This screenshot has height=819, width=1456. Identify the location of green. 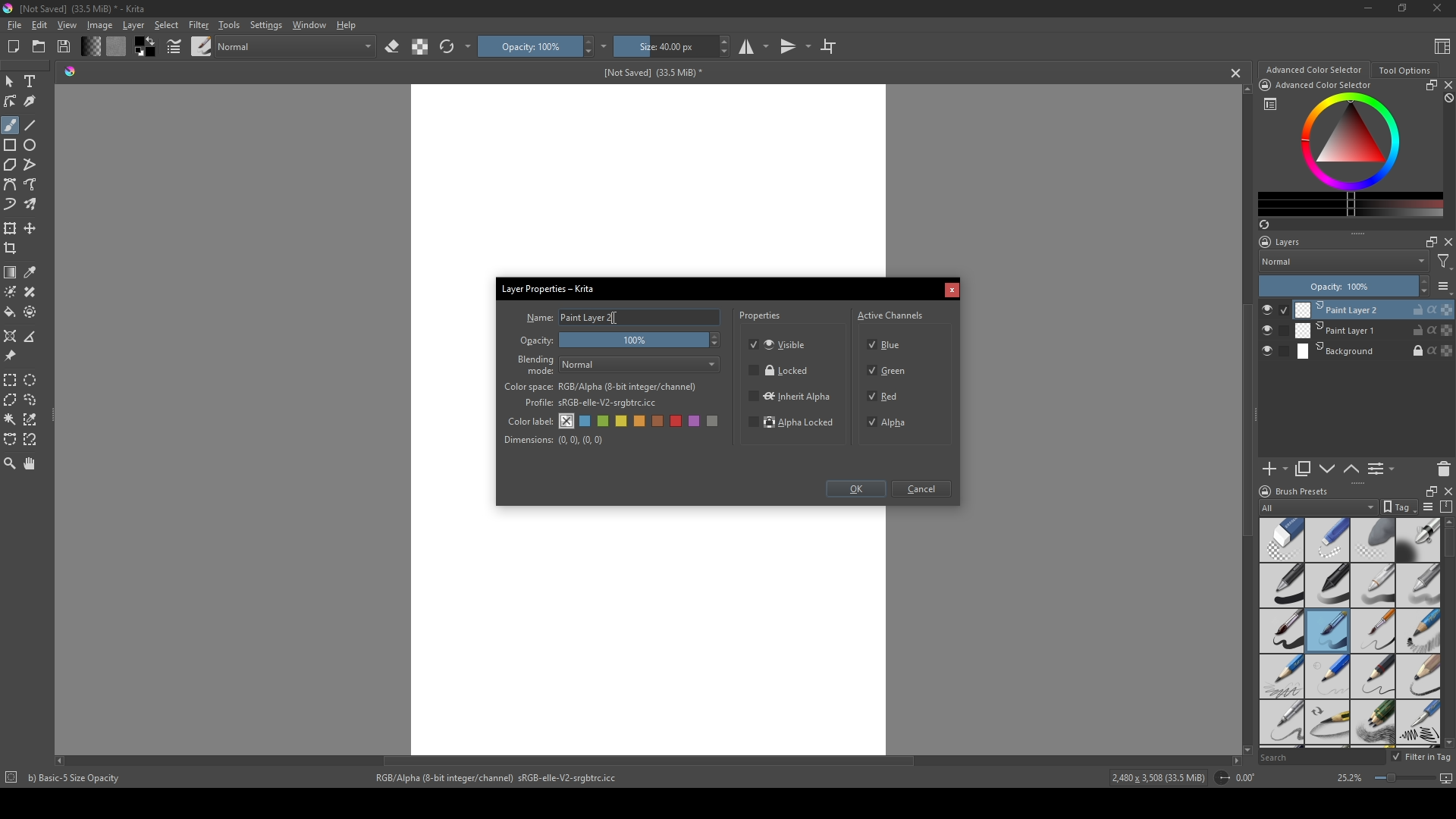
(604, 422).